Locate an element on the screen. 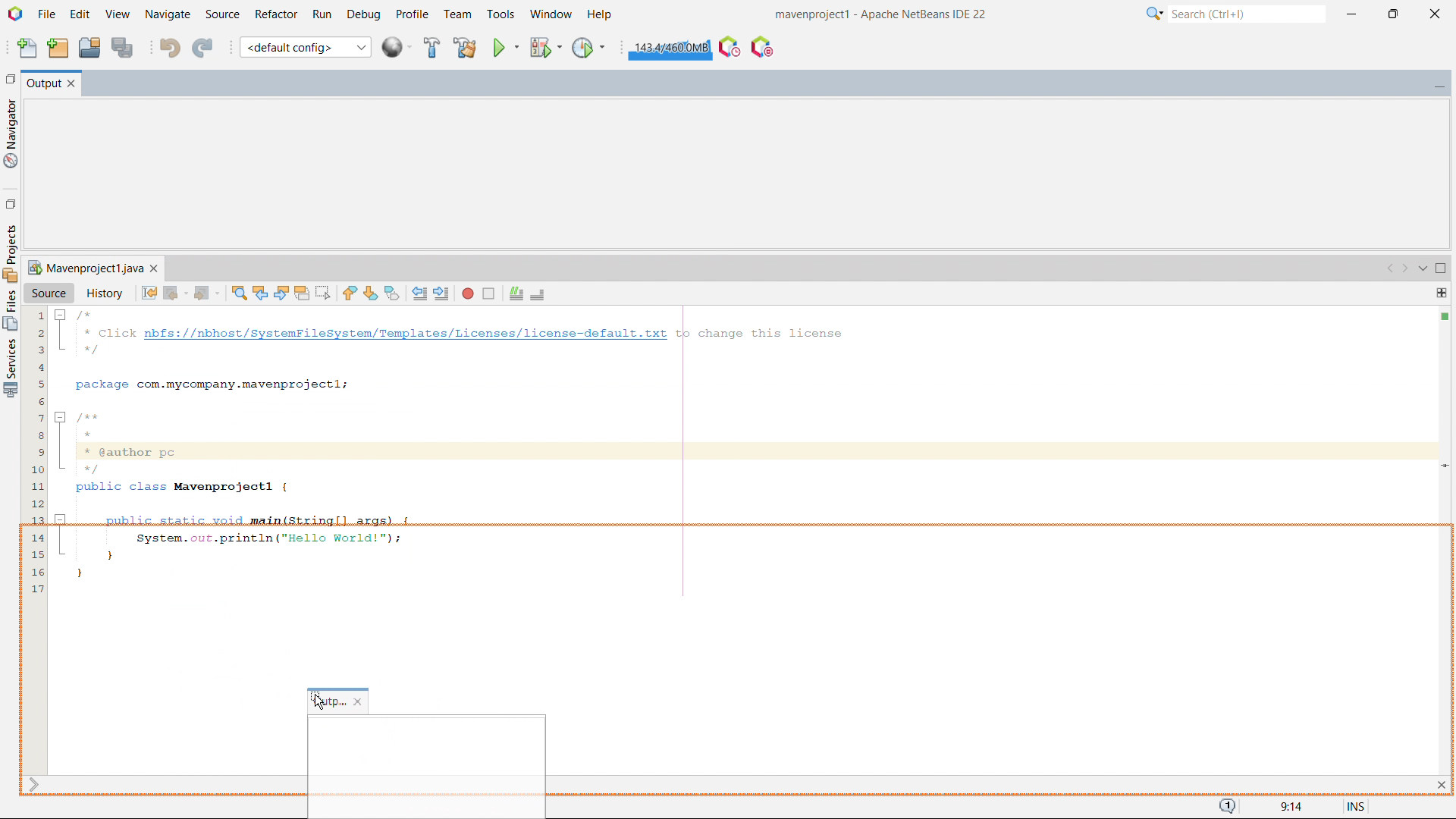 The image size is (1456, 819). maximize is located at coordinates (1441, 269).